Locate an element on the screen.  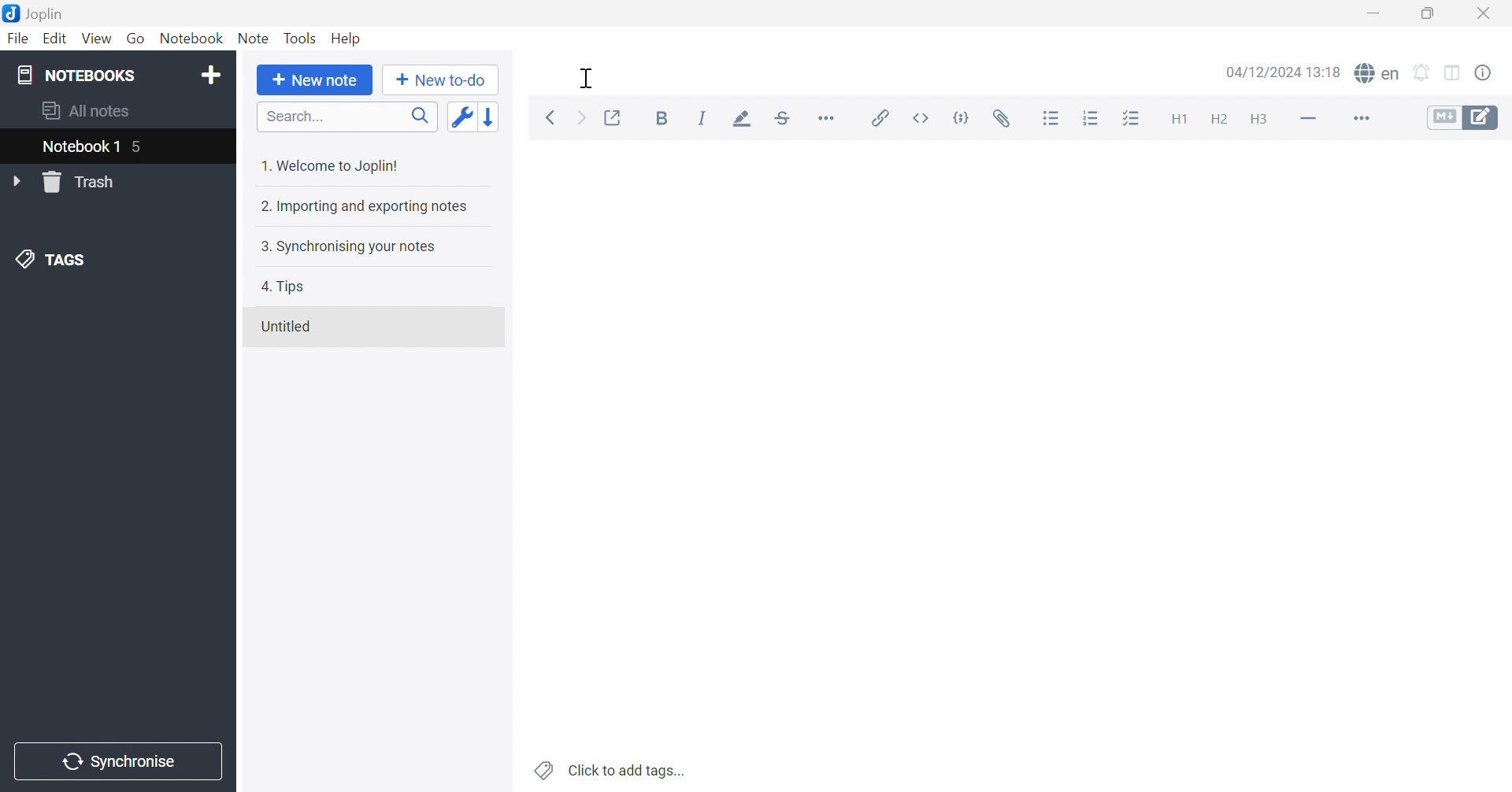
Bulleted list is located at coordinates (1052, 120).